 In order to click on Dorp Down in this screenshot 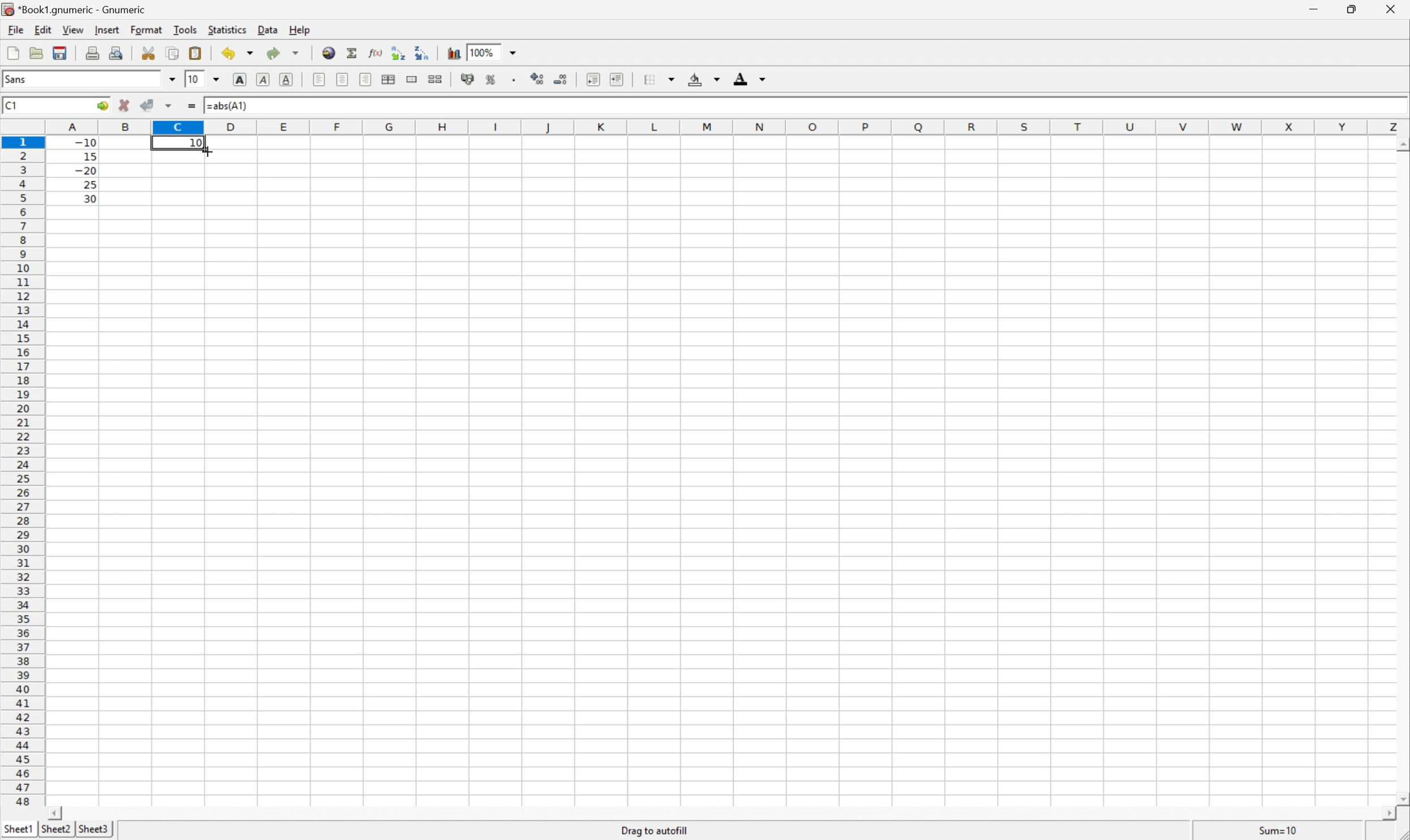, I will do `click(763, 80)`.